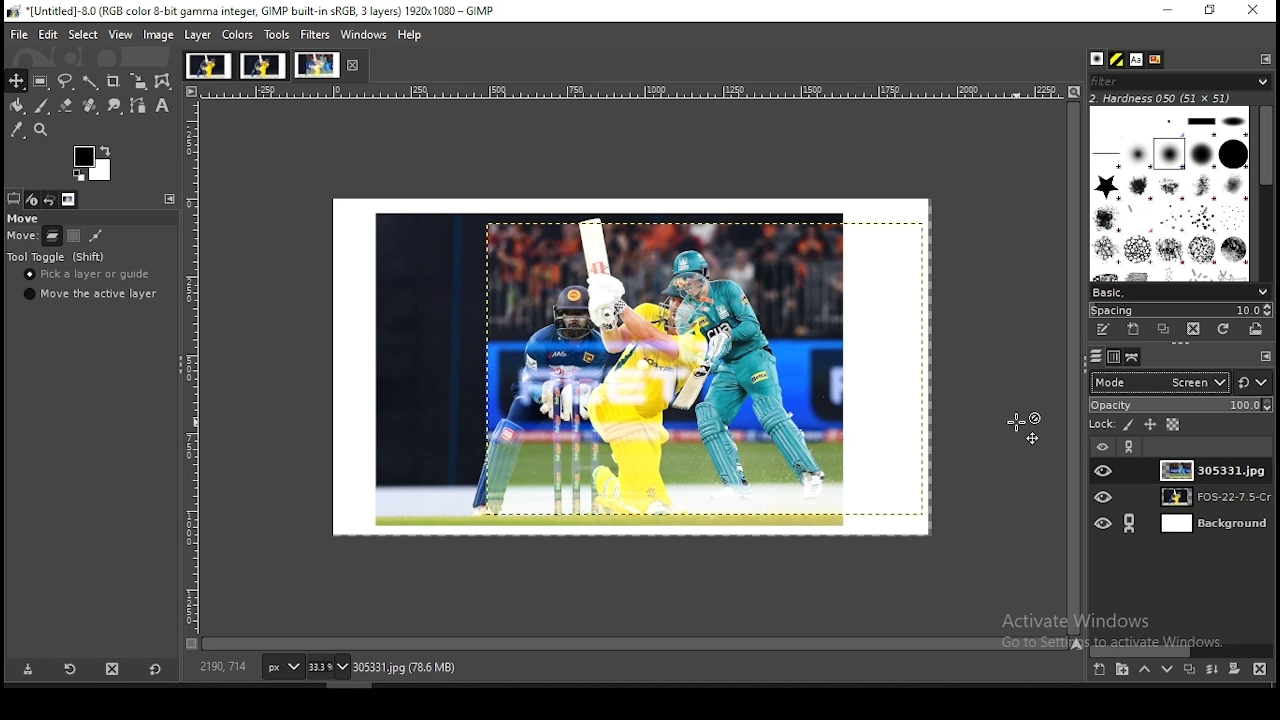  Describe the element at coordinates (1118, 59) in the screenshot. I see `patterns` at that location.